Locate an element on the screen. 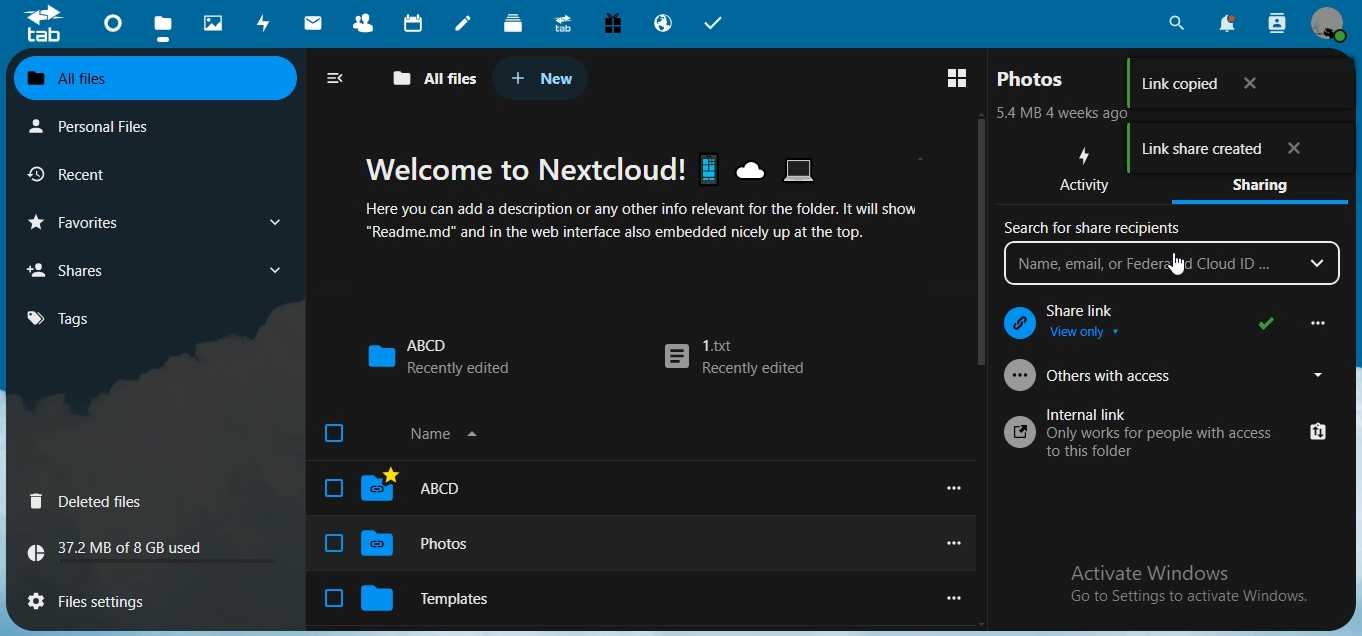  scroll bar is located at coordinates (979, 241).